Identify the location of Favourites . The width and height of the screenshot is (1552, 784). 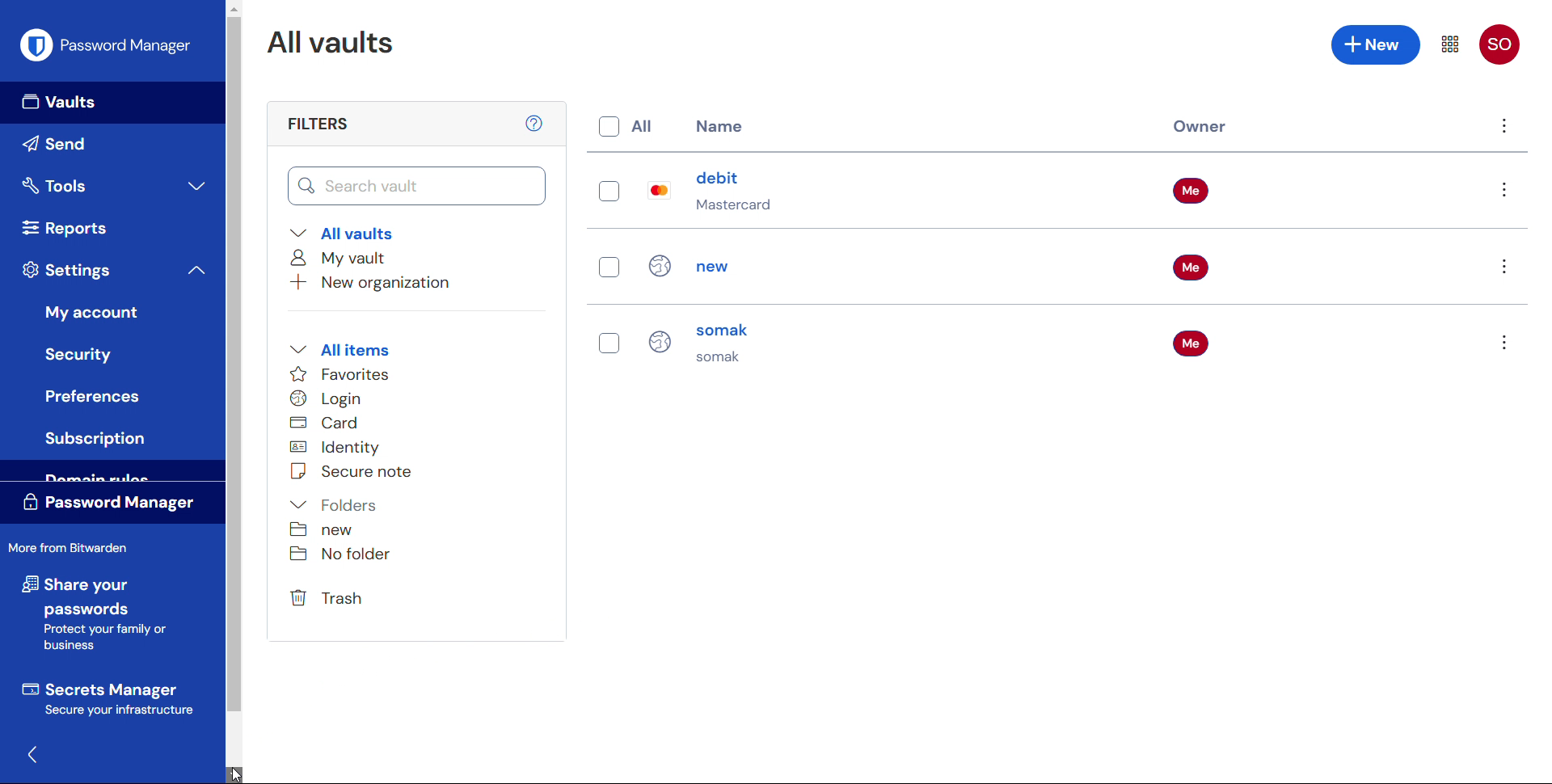
(341, 373).